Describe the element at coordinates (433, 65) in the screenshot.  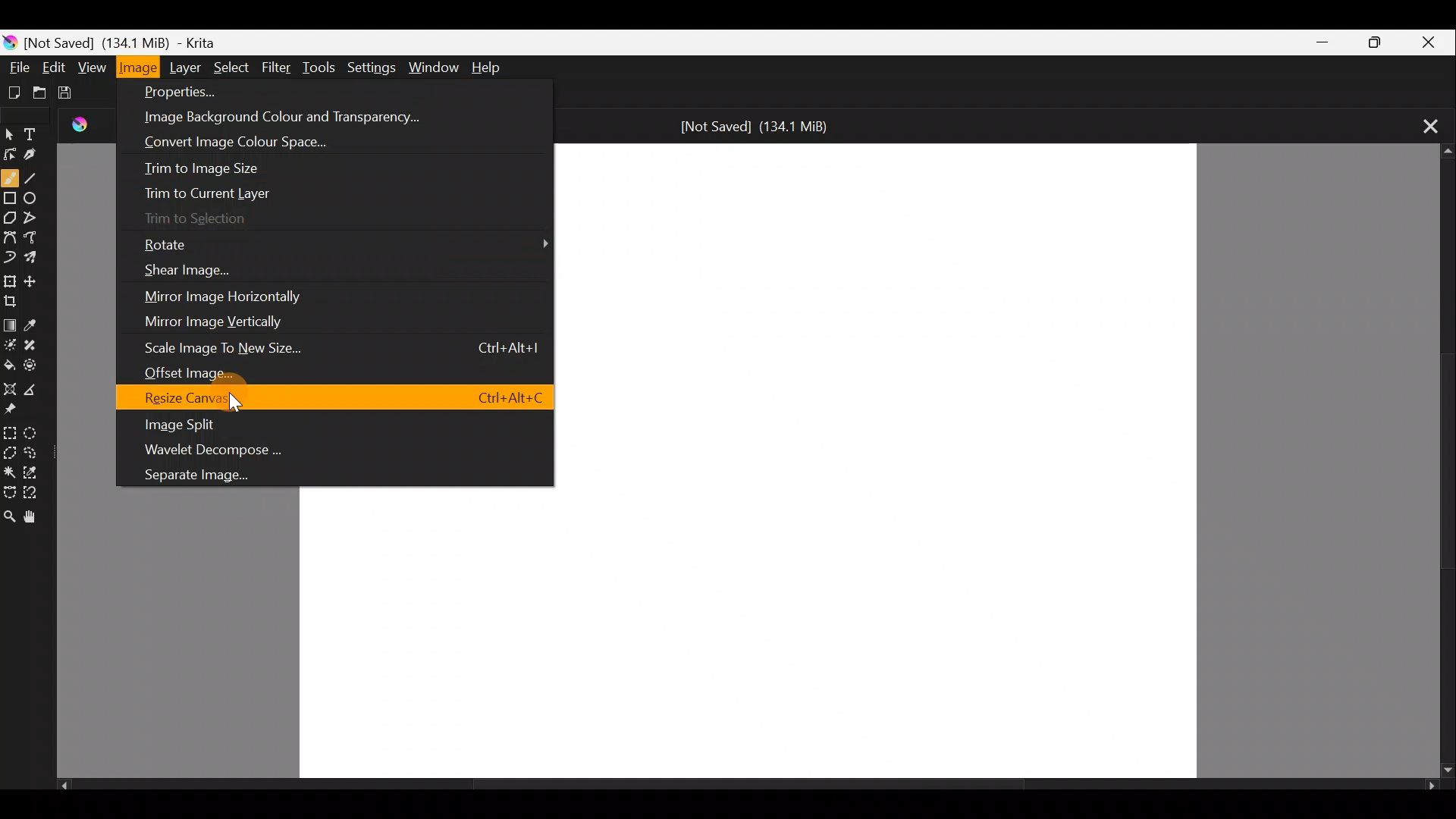
I see `Window` at that location.